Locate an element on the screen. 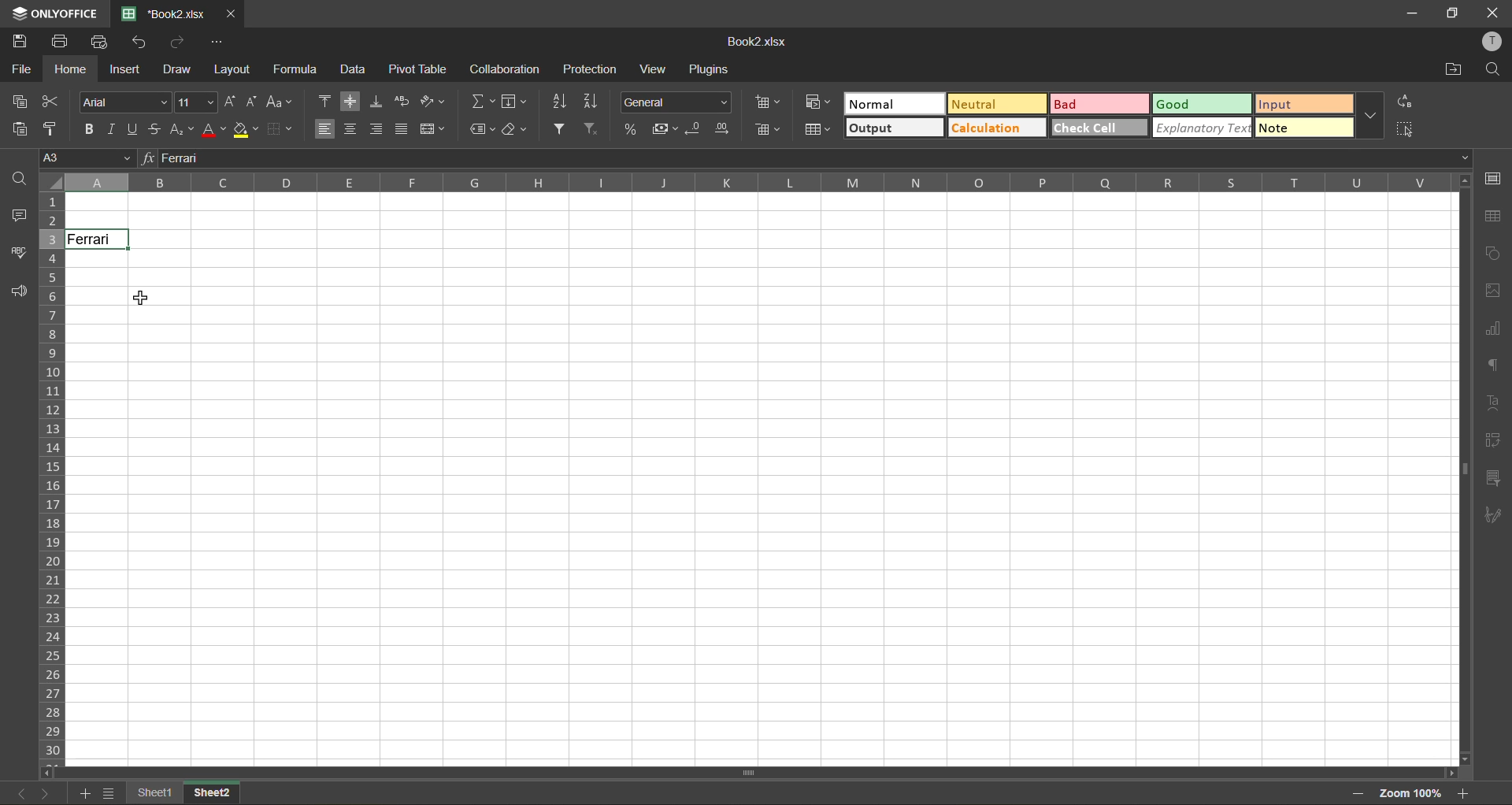 The image size is (1512, 805). align center is located at coordinates (352, 129).